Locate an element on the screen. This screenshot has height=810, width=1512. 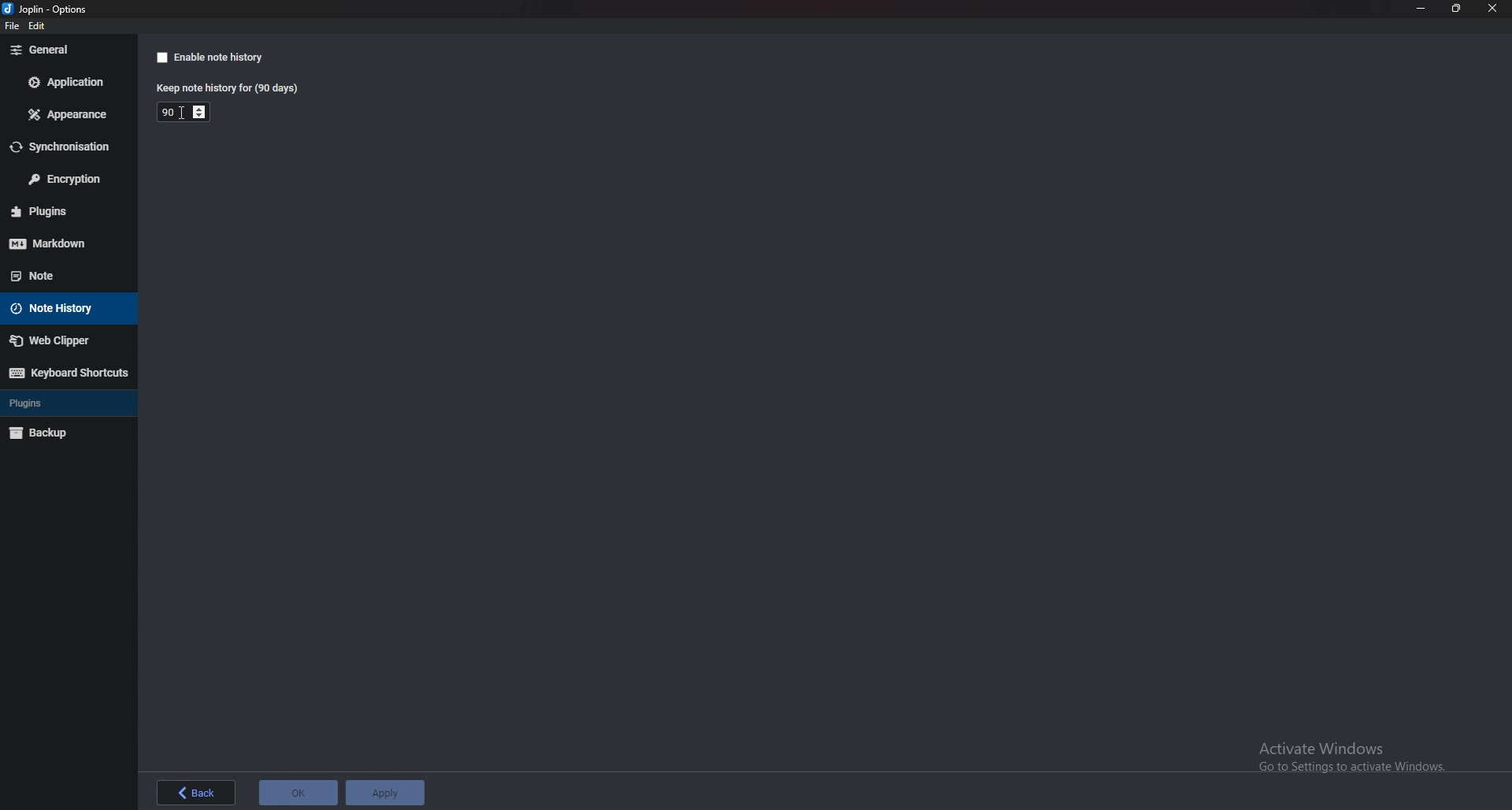
file is located at coordinates (9, 27).